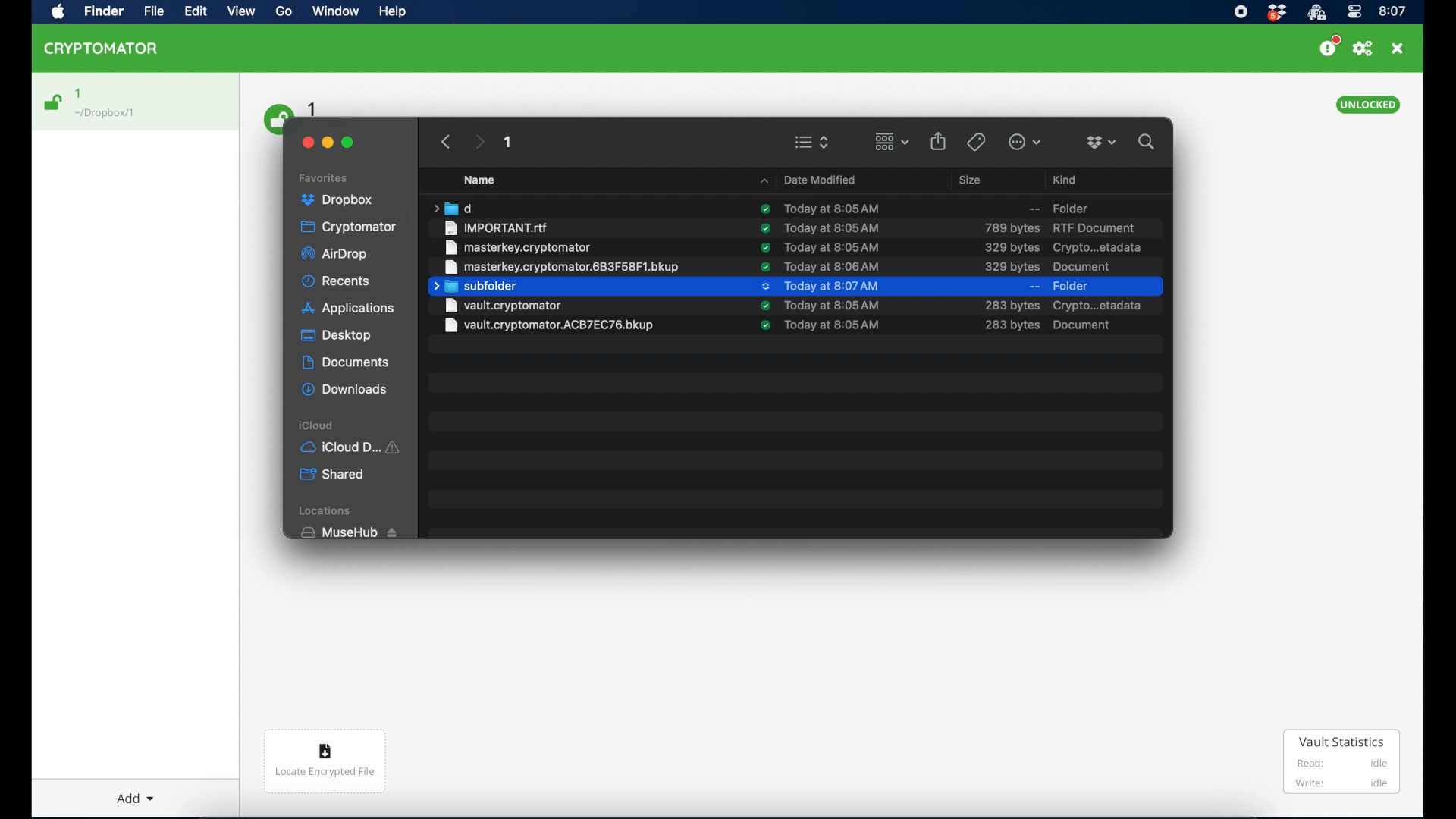  What do you see at coordinates (1101, 143) in the screenshot?
I see `dropboxdropdown` at bounding box center [1101, 143].